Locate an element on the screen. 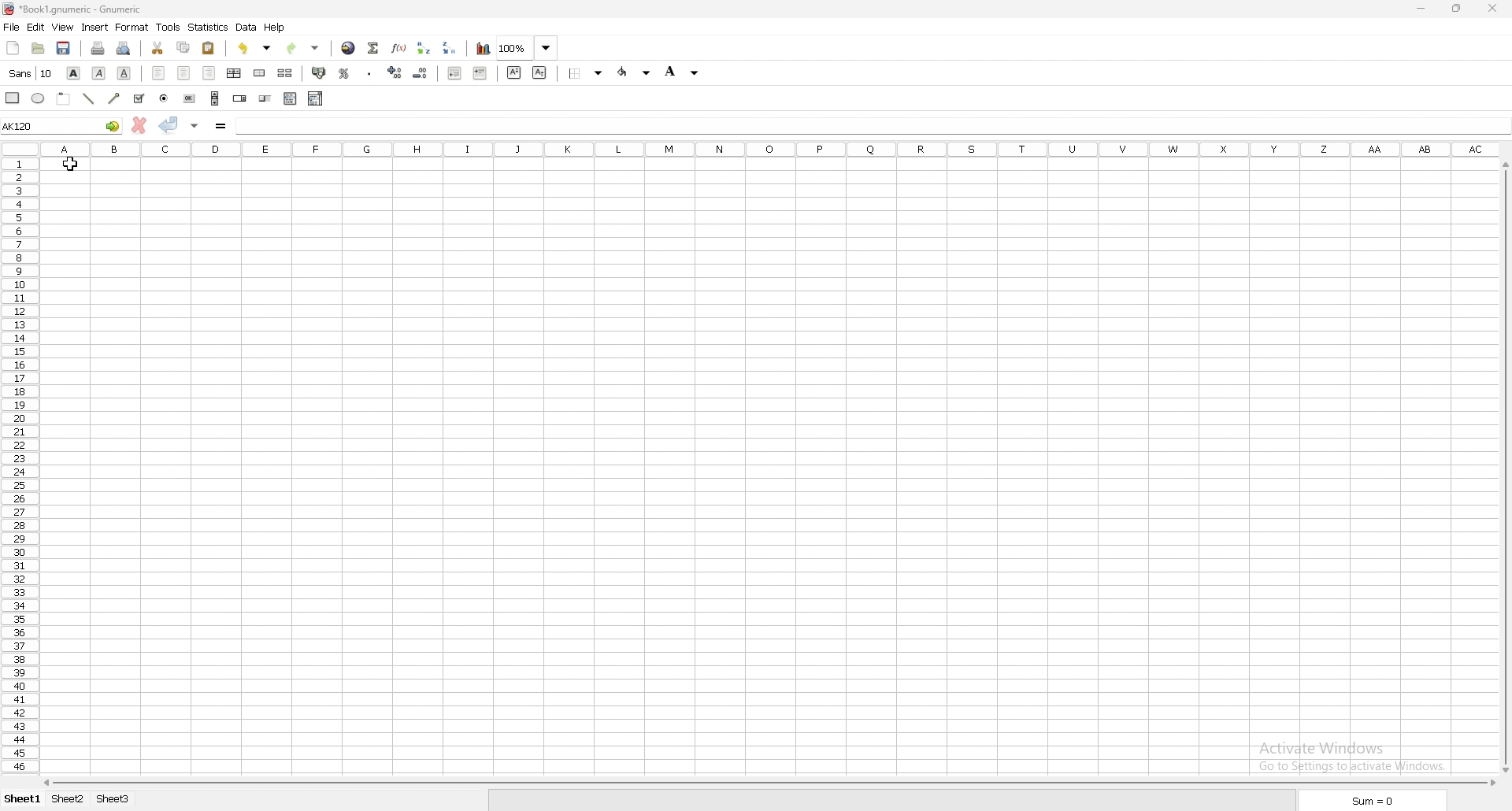 This screenshot has width=1512, height=811. sum is located at coordinates (1371, 801).